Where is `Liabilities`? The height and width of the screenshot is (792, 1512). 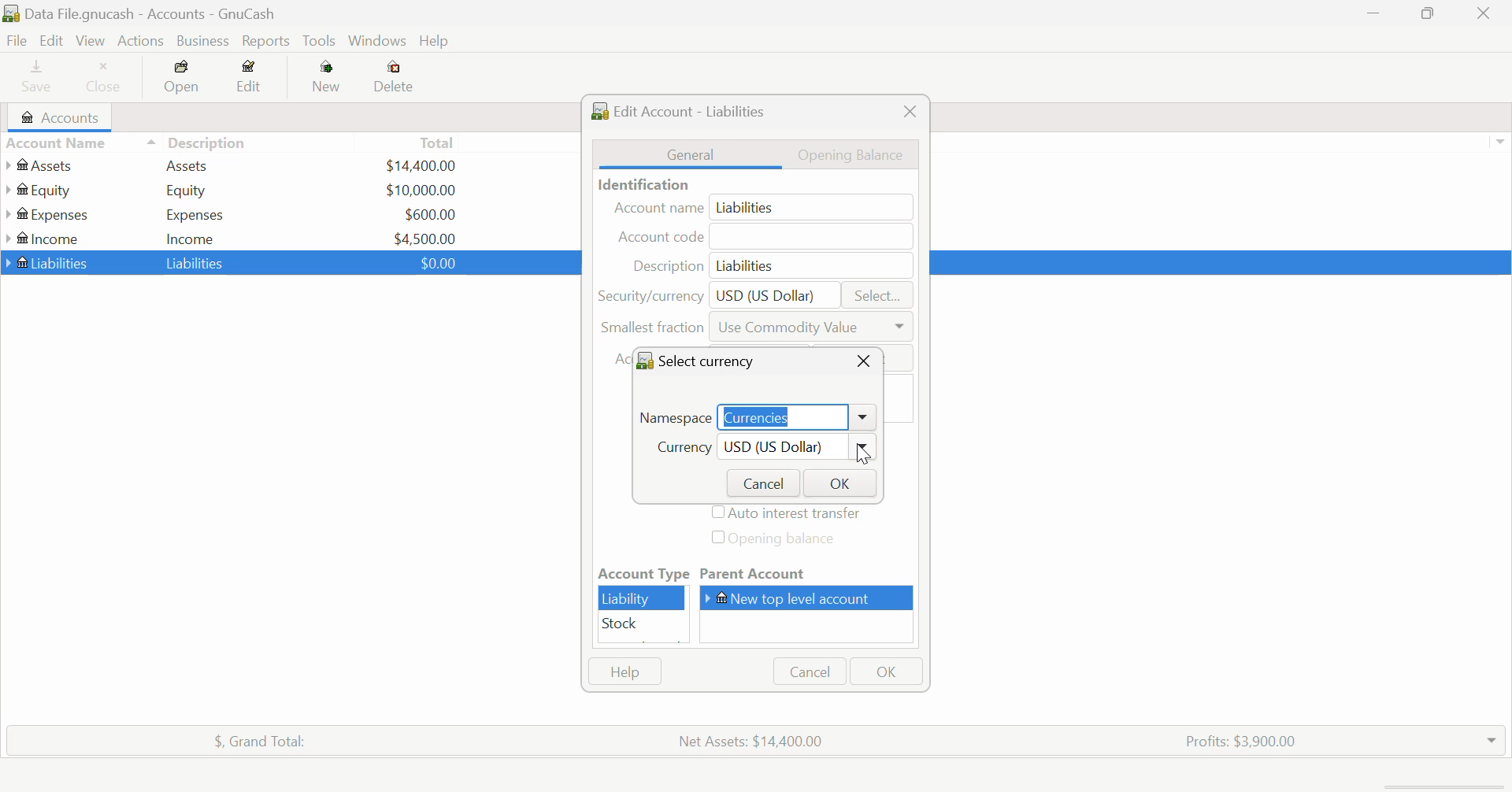 Liabilities is located at coordinates (197, 262).